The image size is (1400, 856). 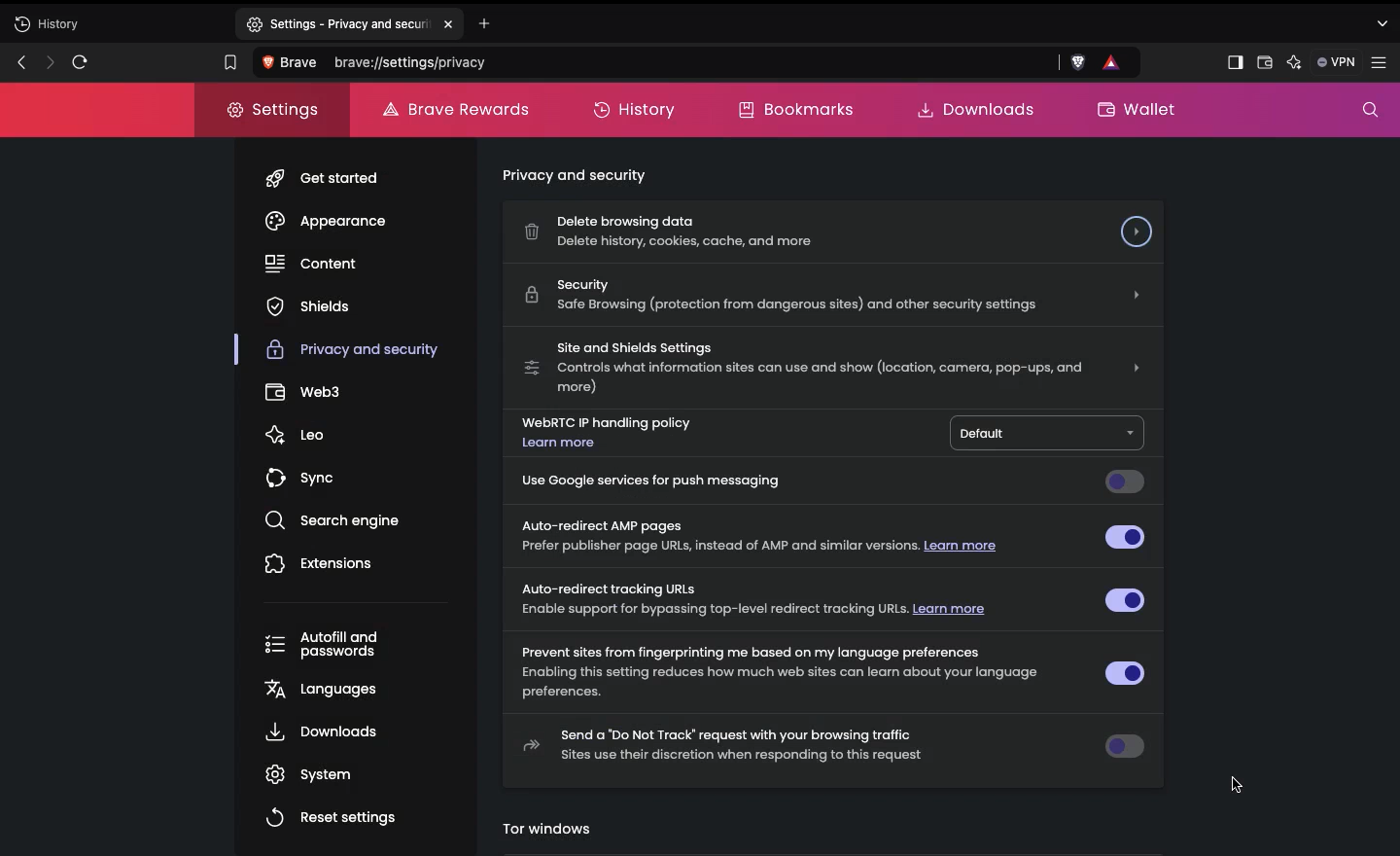 What do you see at coordinates (317, 480) in the screenshot?
I see `Sync` at bounding box center [317, 480].